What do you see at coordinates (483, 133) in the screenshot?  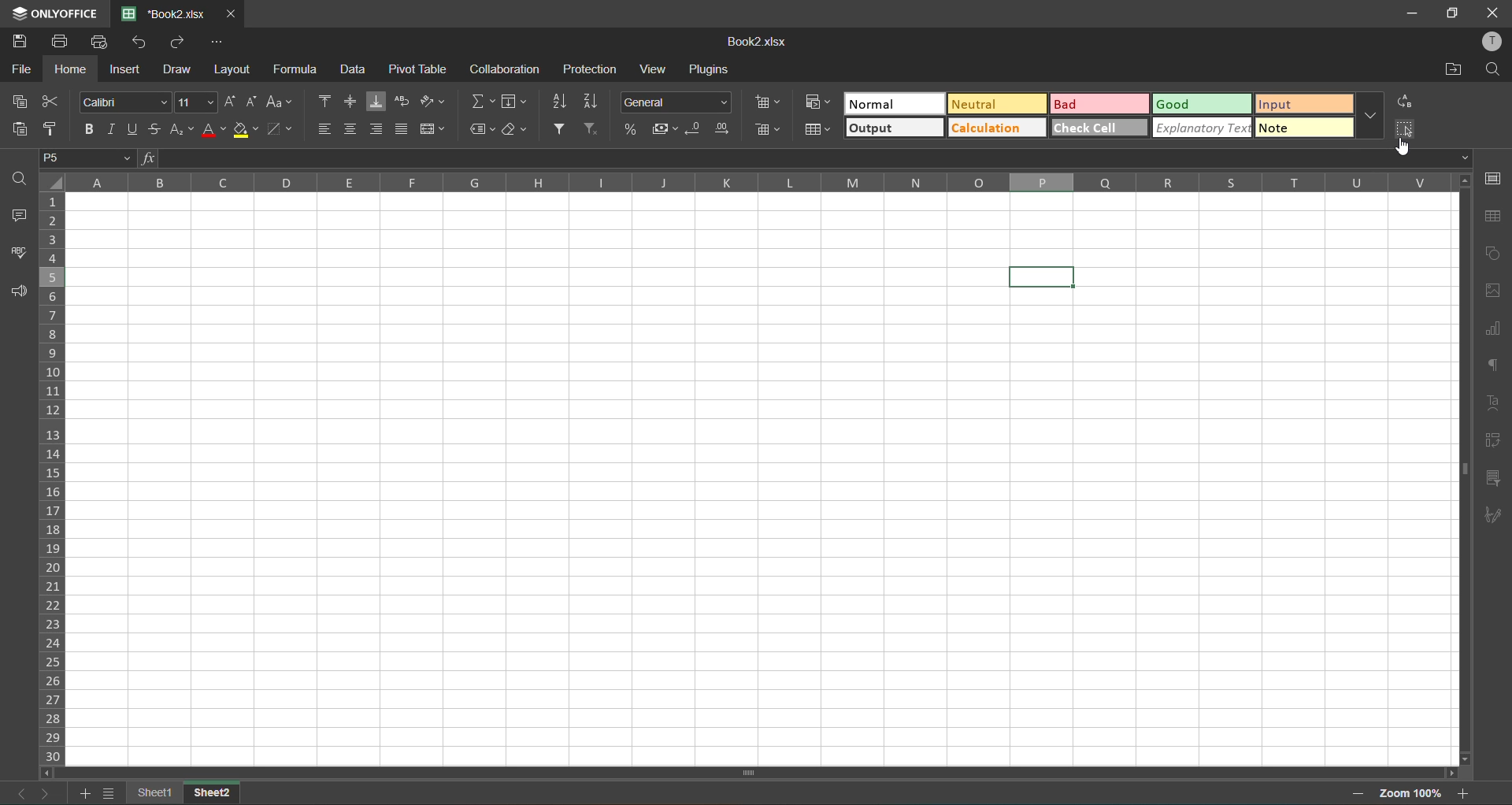 I see `named ranges` at bounding box center [483, 133].